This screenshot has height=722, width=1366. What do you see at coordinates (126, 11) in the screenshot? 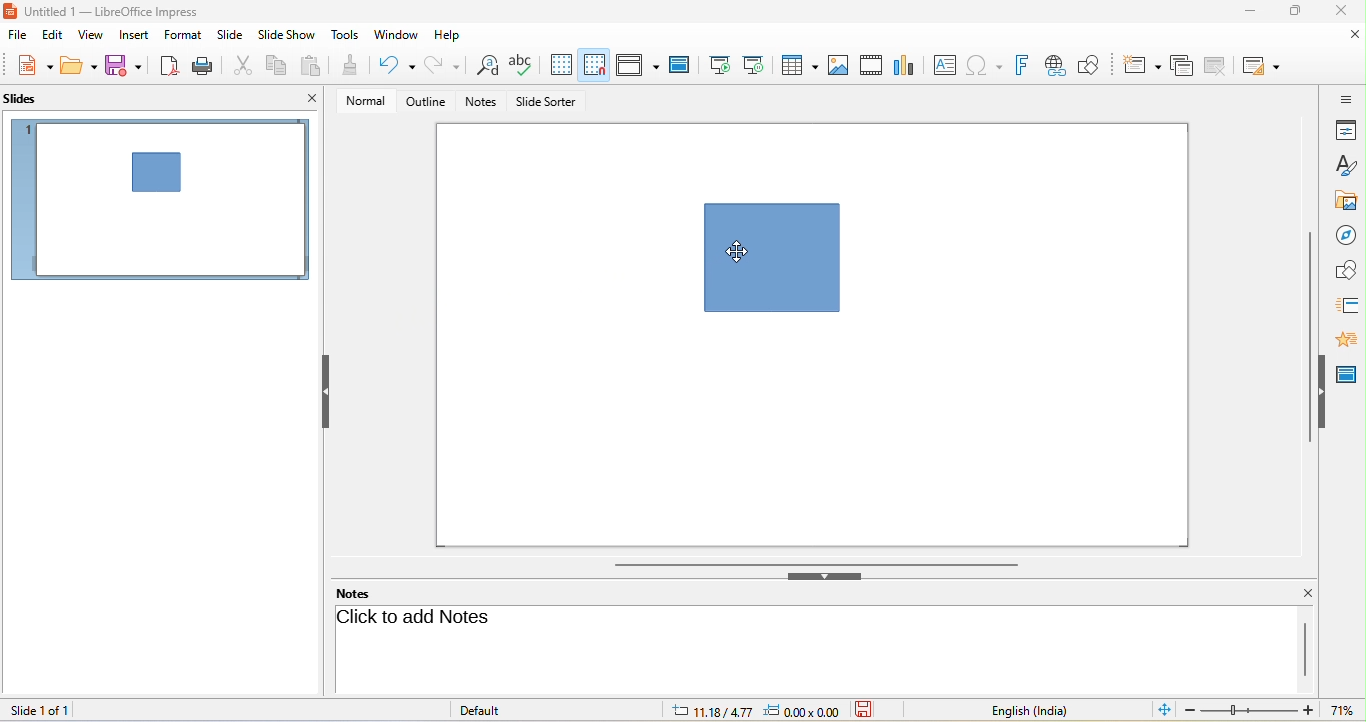
I see `Untitled 1 — LibreOffice Impress` at bounding box center [126, 11].